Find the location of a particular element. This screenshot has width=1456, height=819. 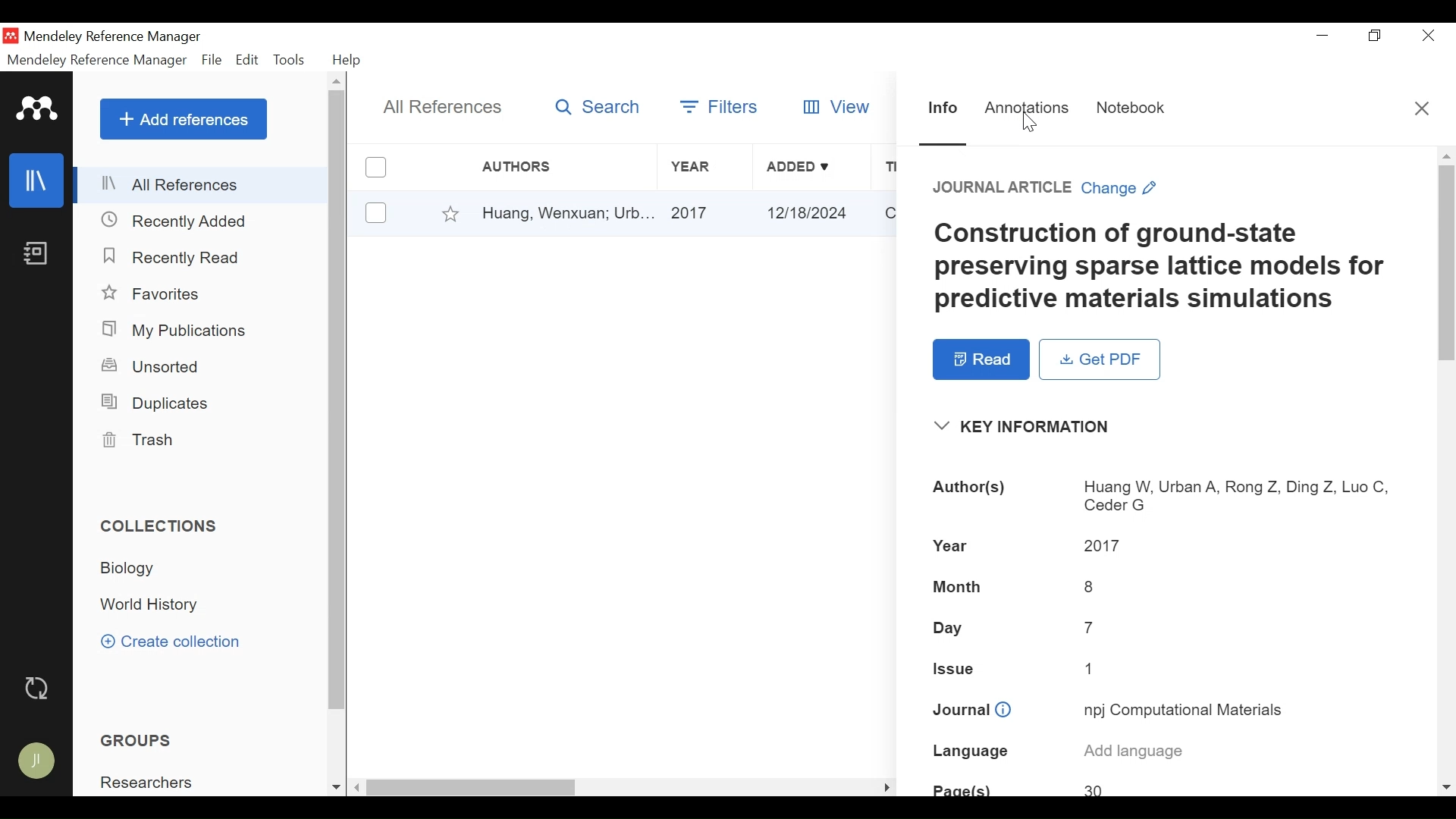

Author(s) is located at coordinates (973, 491).